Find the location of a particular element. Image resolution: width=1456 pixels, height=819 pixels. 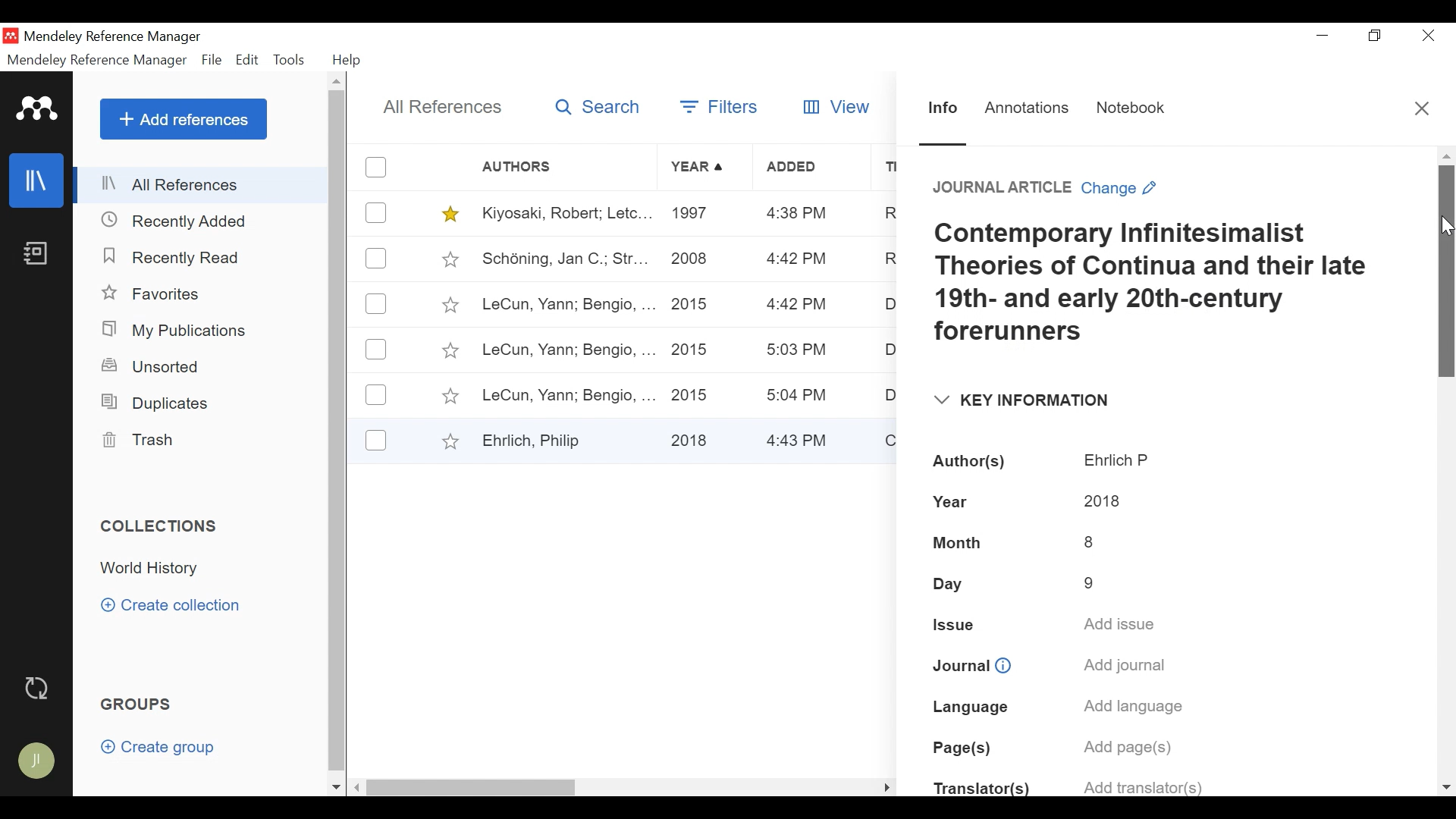

JOURNAL ARTICLE is located at coordinates (994, 189).